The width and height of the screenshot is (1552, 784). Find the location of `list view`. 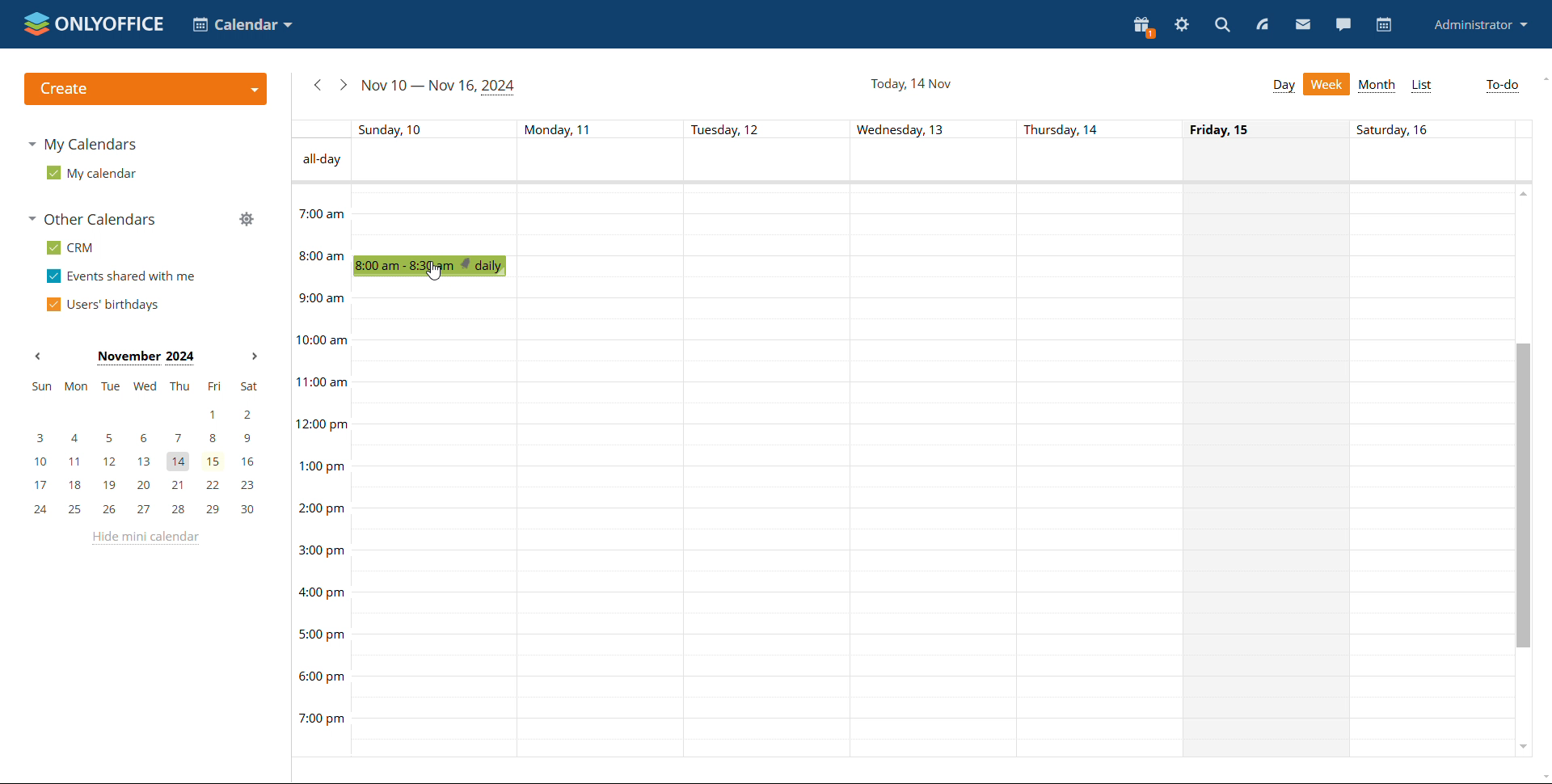

list view is located at coordinates (1423, 86).